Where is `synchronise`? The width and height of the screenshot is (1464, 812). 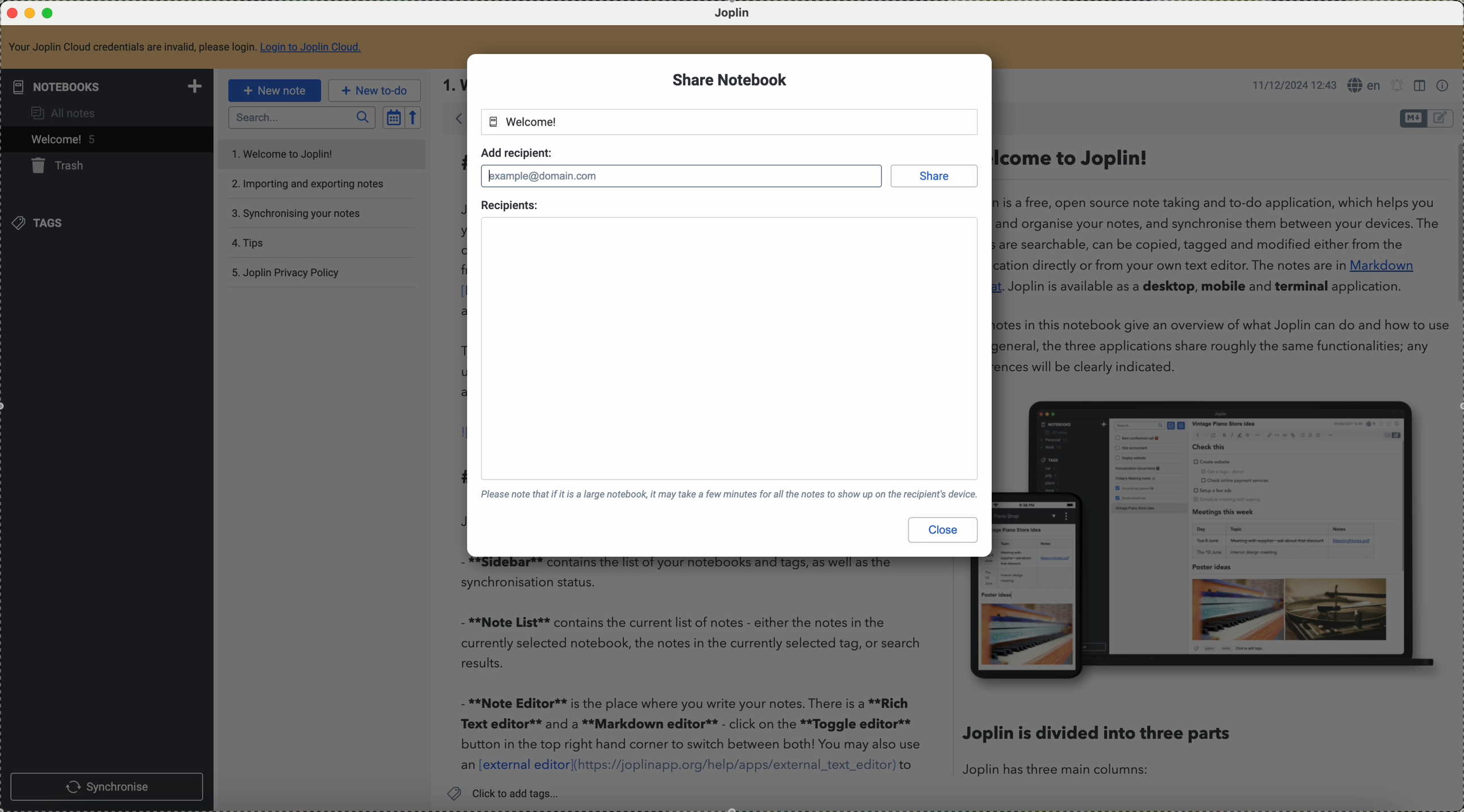 synchronise is located at coordinates (107, 786).